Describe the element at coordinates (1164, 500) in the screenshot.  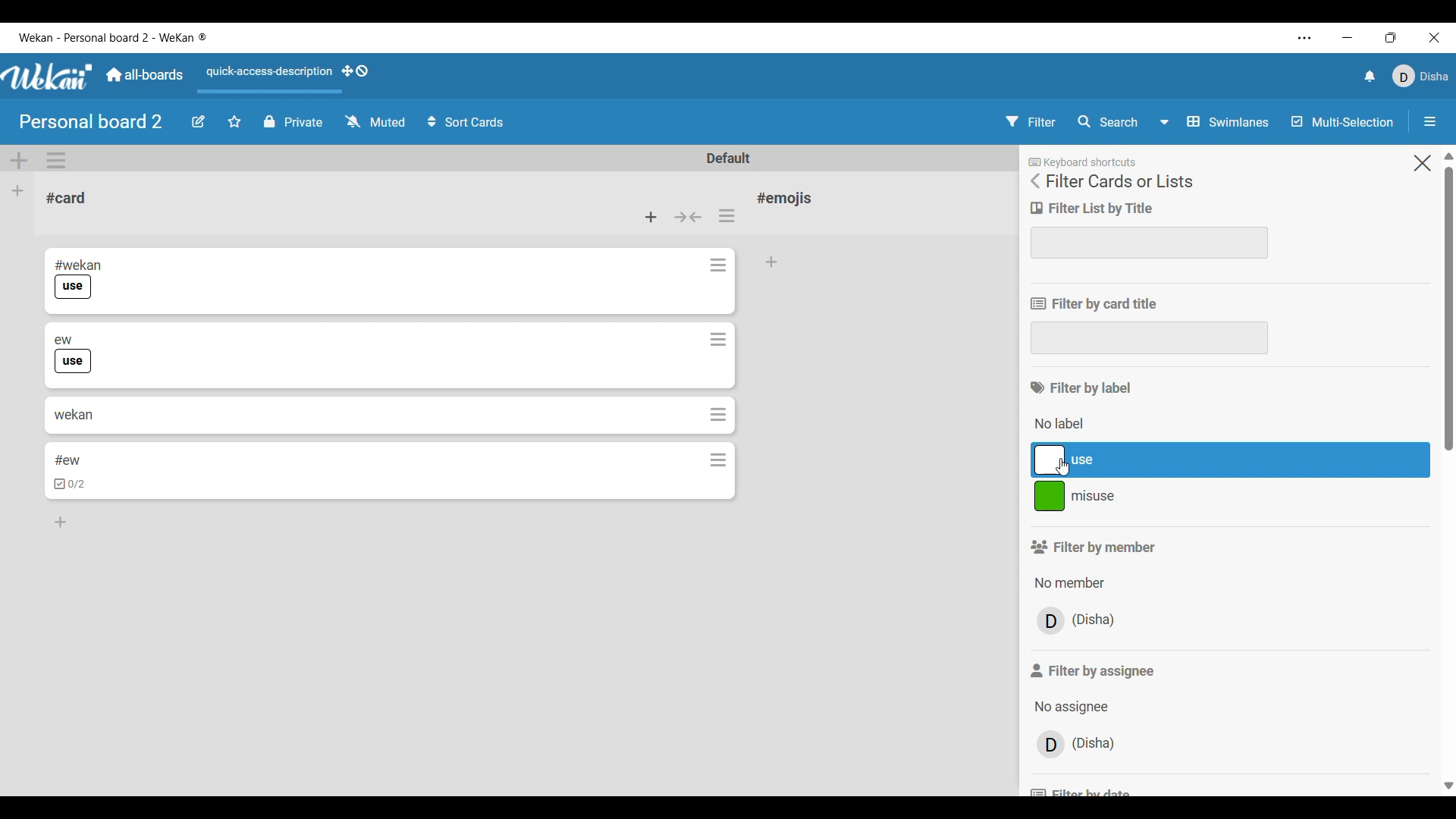
I see `misuse` at that location.